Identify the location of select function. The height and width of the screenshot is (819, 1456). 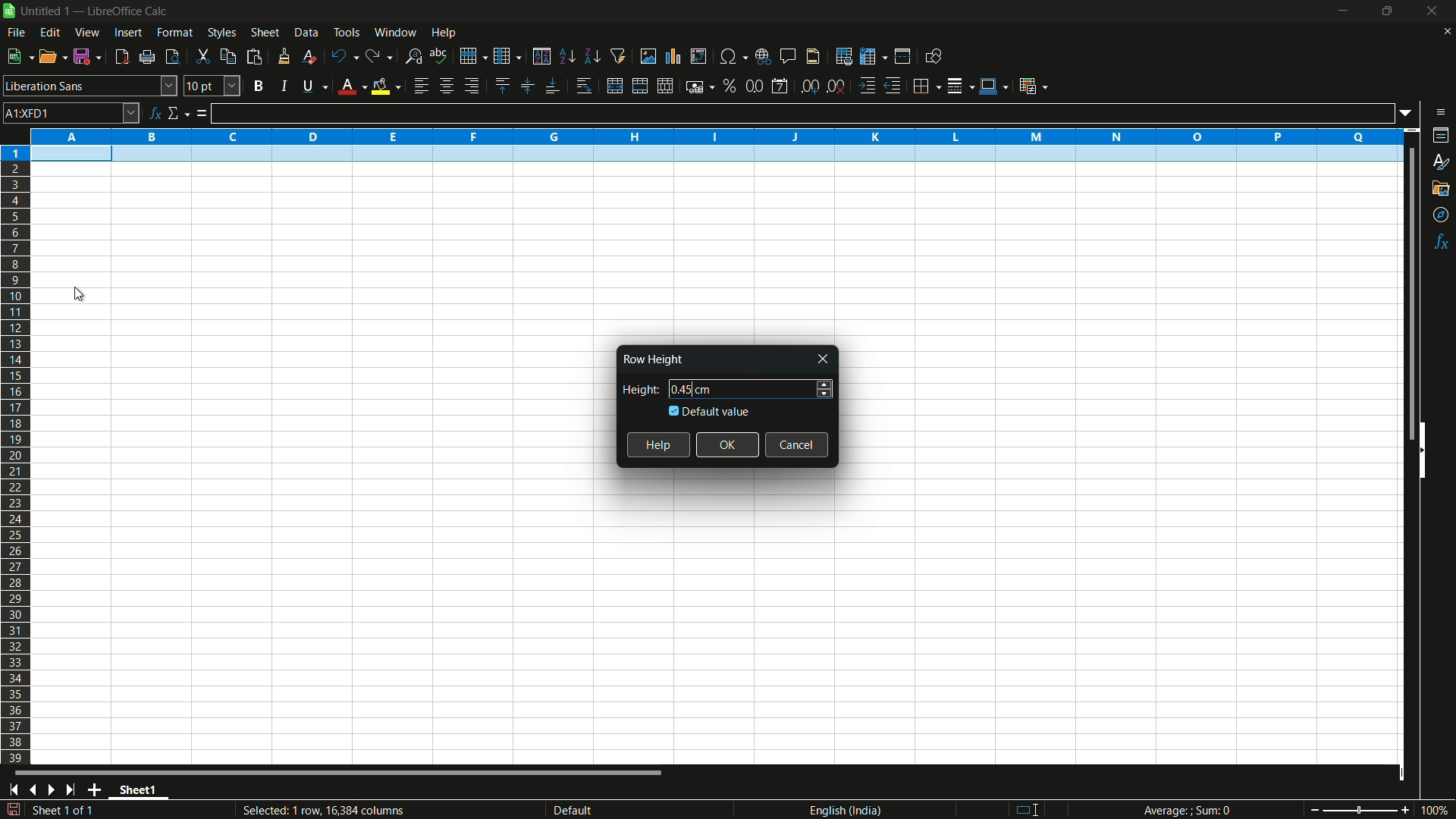
(178, 114).